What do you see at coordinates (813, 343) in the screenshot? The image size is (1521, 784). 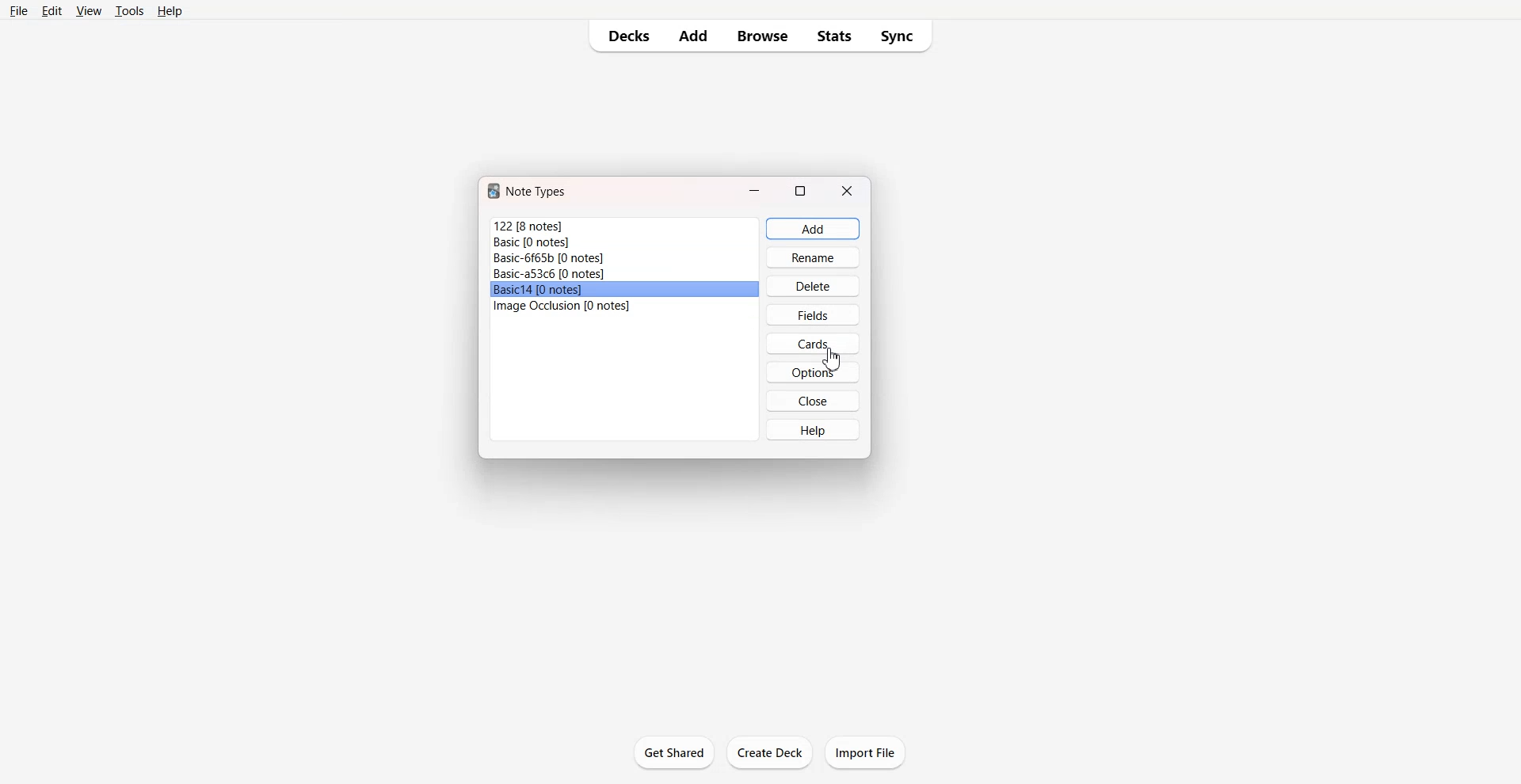 I see `Cards` at bounding box center [813, 343].